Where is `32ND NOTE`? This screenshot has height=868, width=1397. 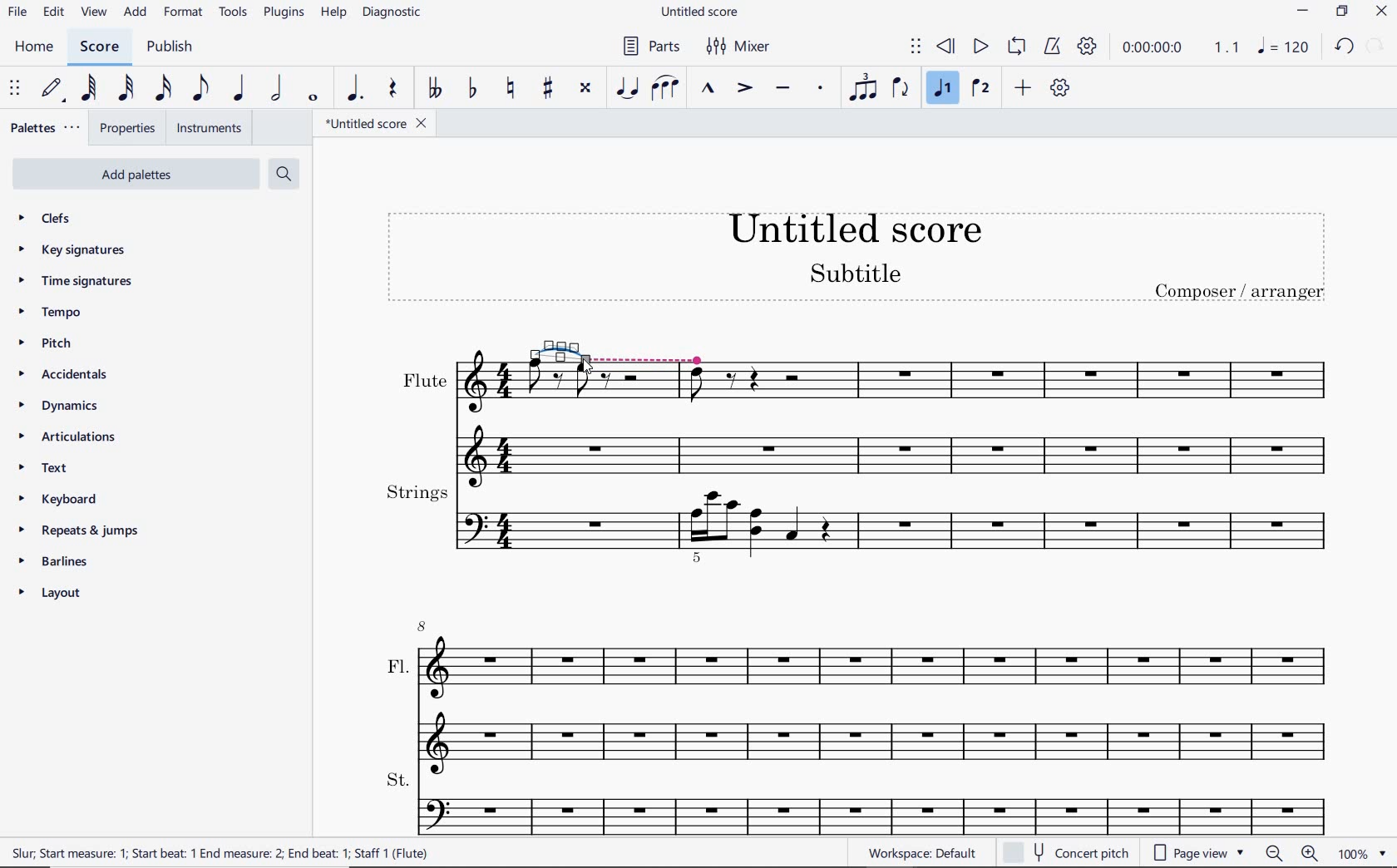
32ND NOTE is located at coordinates (123, 89).